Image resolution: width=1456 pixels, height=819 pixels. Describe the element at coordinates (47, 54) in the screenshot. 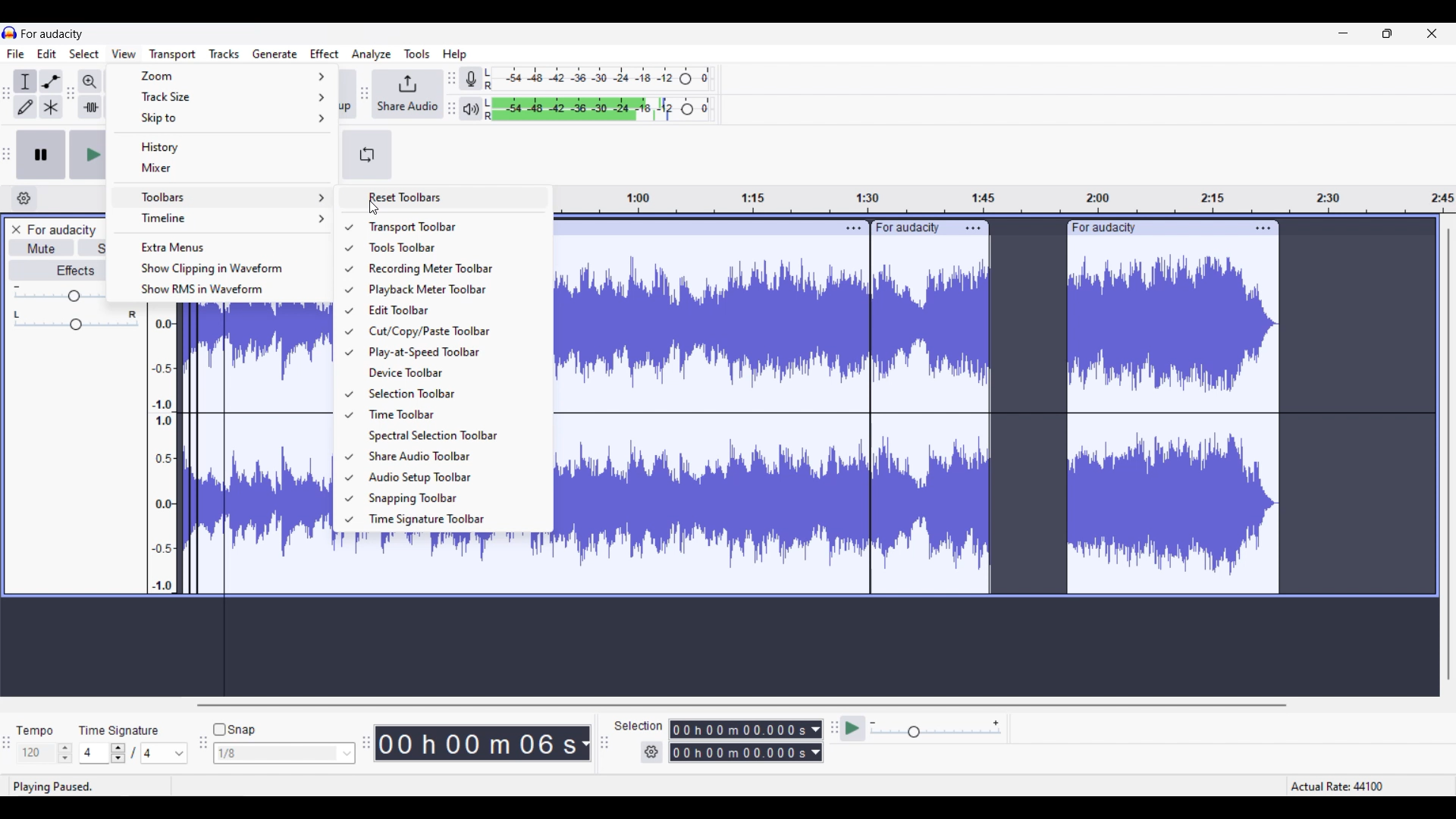

I see `Edit menu` at that location.